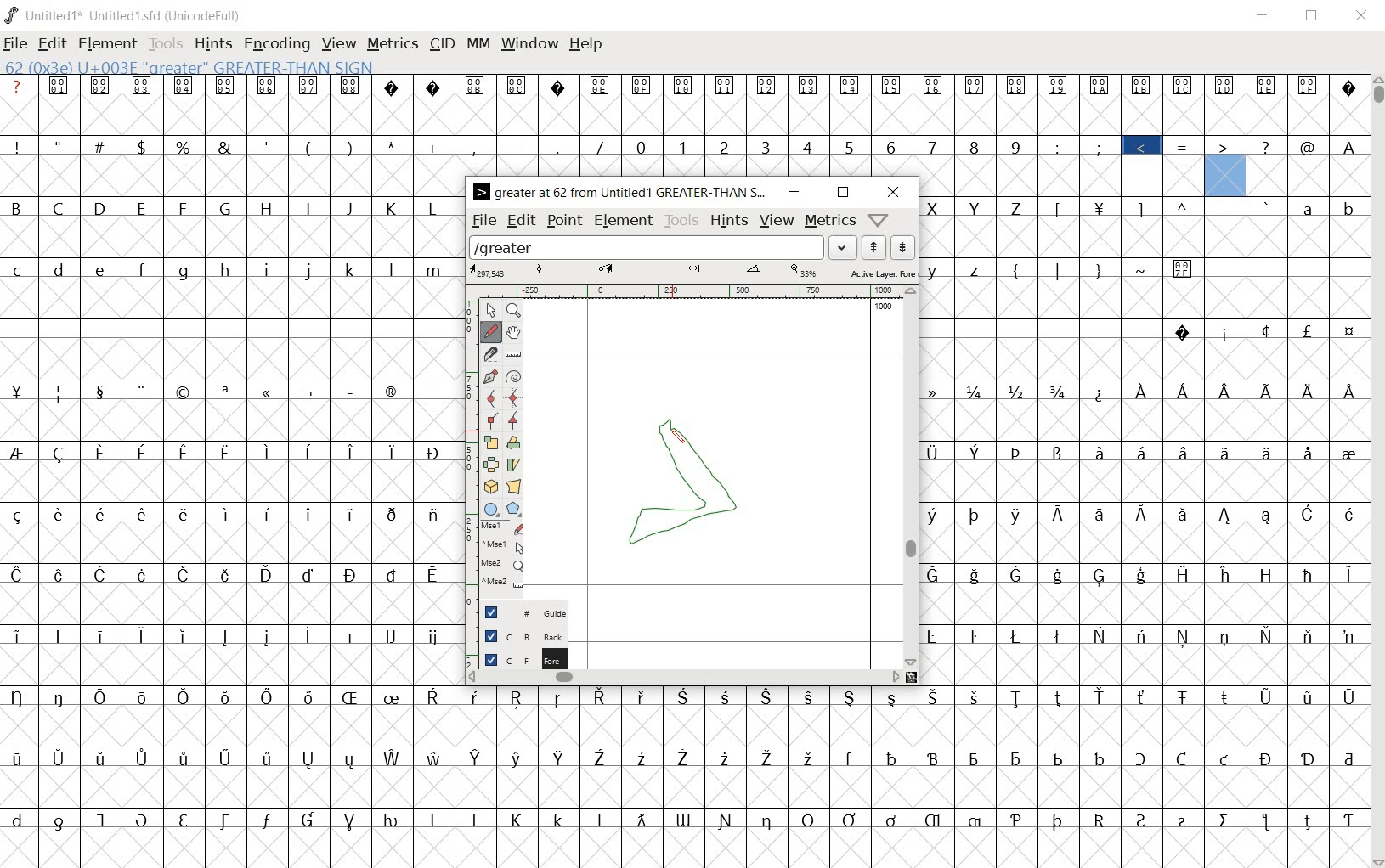  What do you see at coordinates (109, 44) in the screenshot?
I see `element` at bounding box center [109, 44].